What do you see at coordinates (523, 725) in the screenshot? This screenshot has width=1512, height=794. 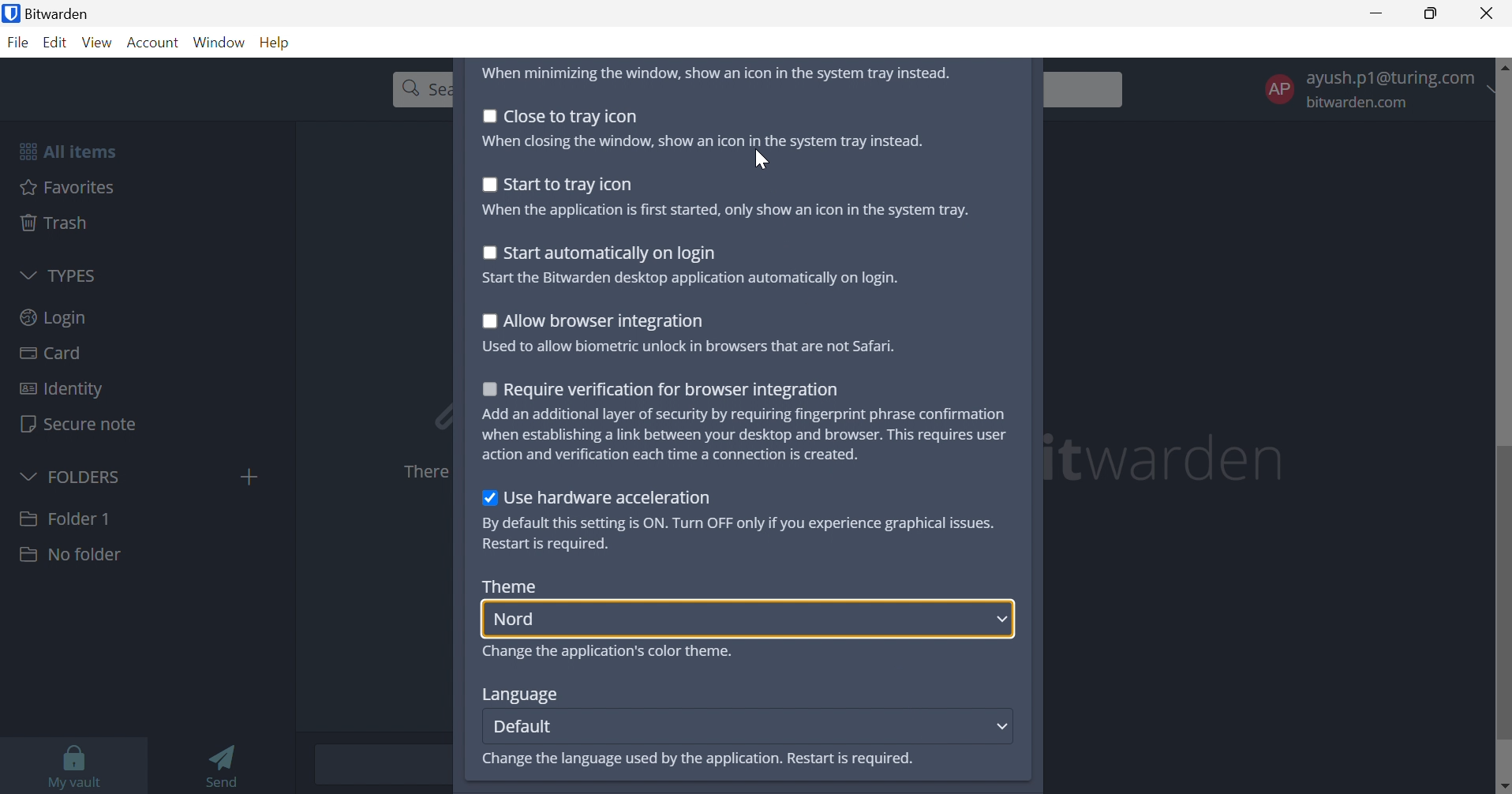 I see `Default` at bounding box center [523, 725].